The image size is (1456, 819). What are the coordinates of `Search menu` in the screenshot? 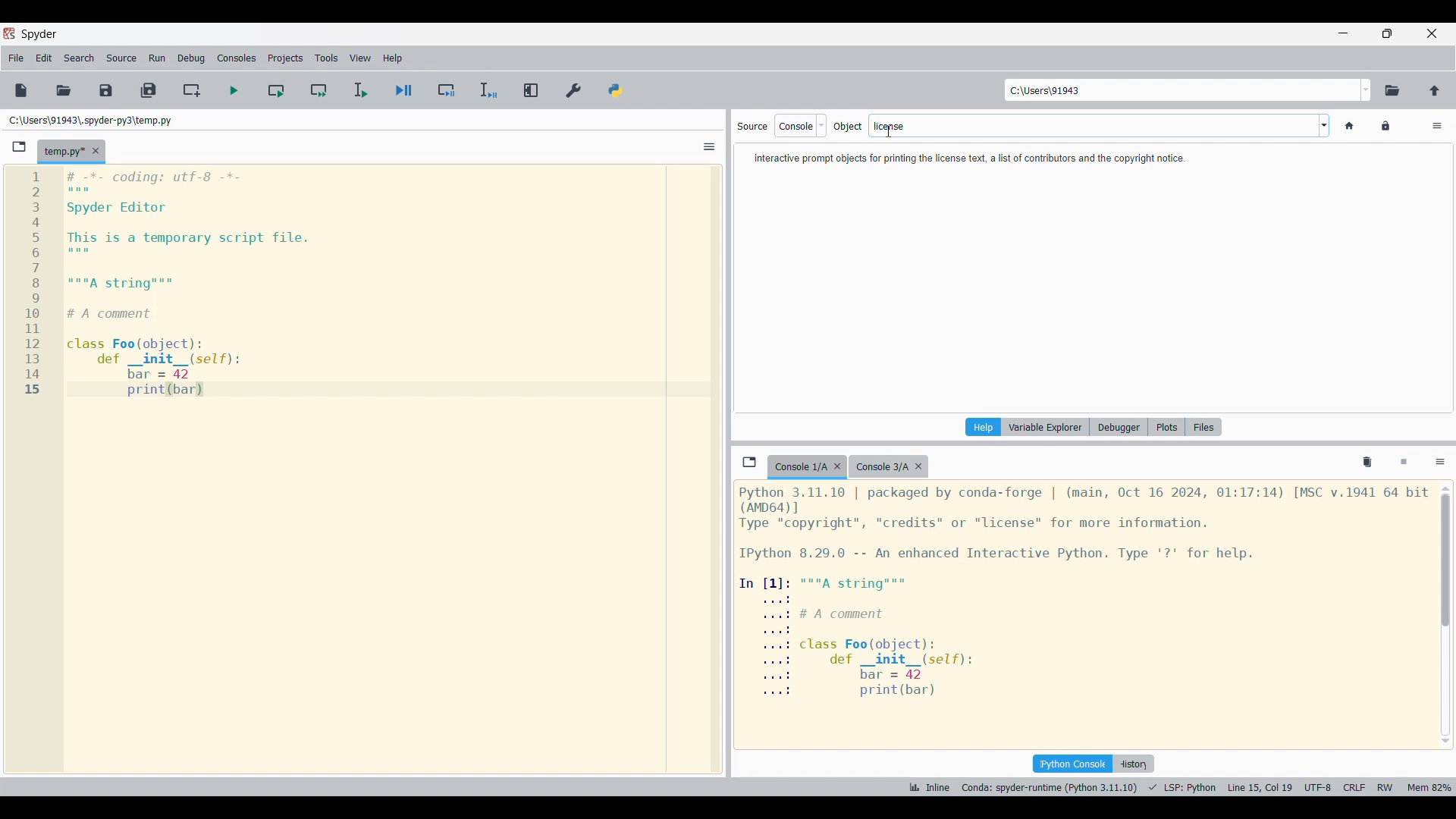 It's located at (79, 58).